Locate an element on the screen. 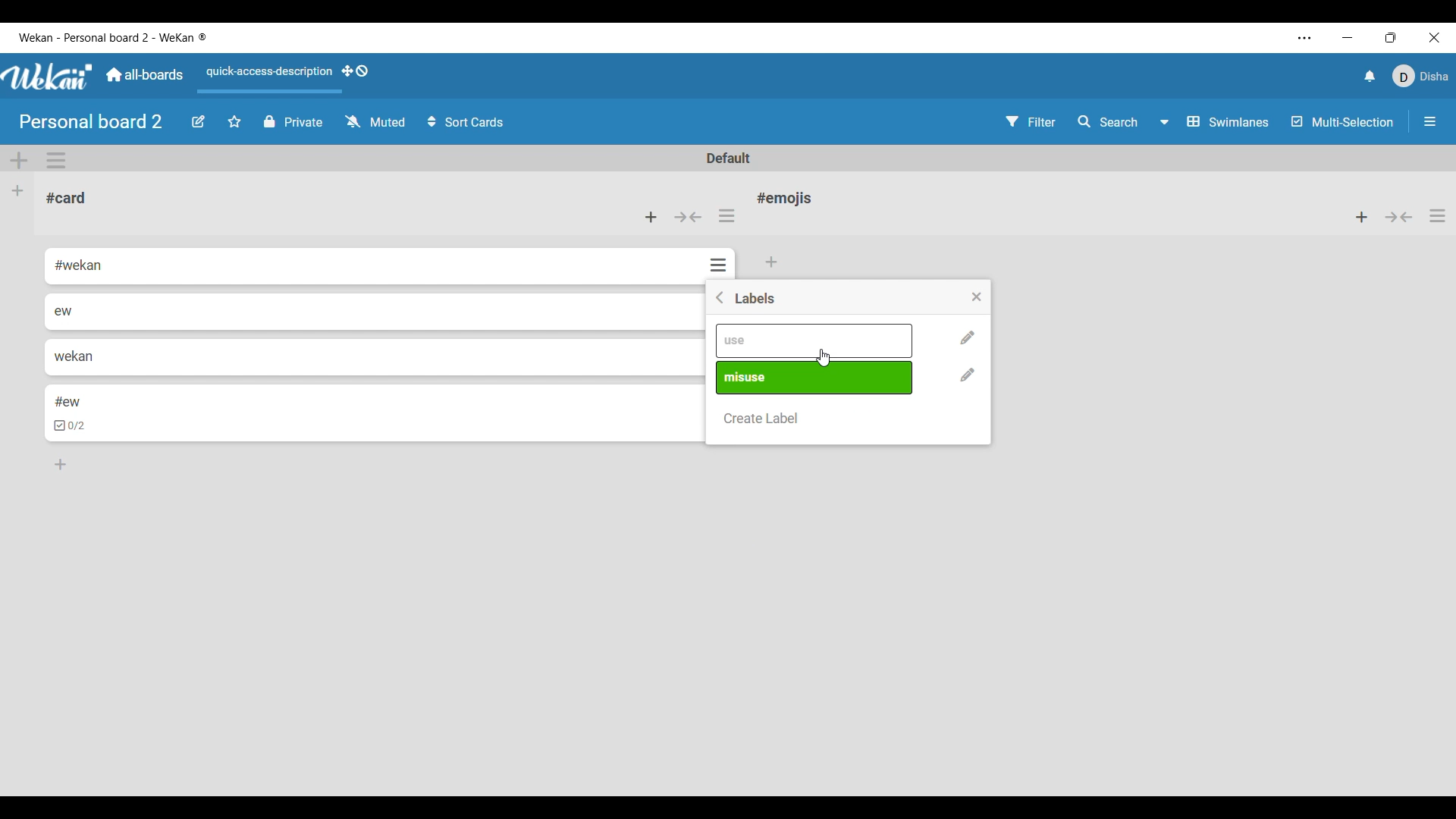 The width and height of the screenshot is (1456, 819). Title of window is located at coordinates (756, 298).